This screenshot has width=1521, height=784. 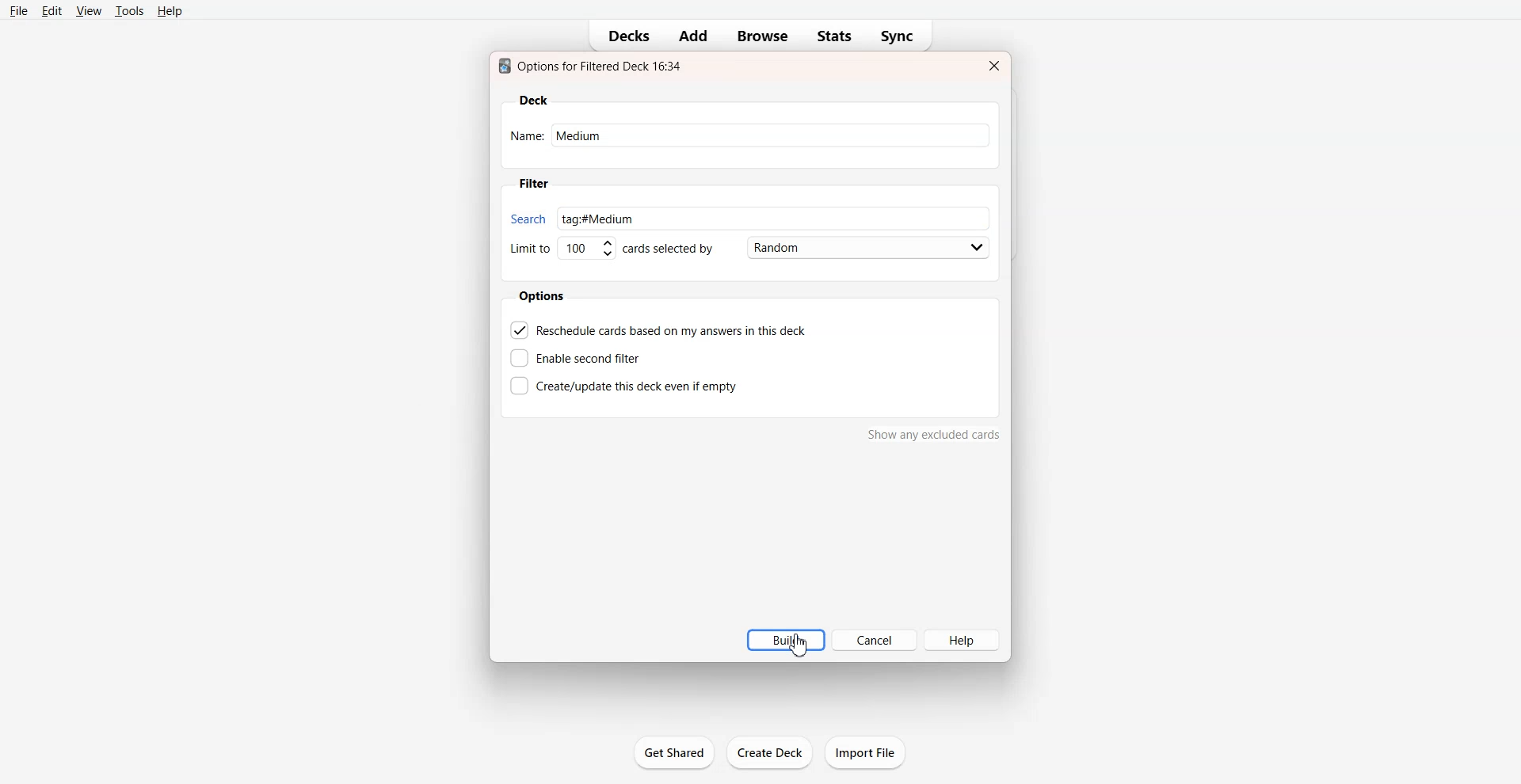 What do you see at coordinates (561, 252) in the screenshot?
I see `Set Limit` at bounding box center [561, 252].